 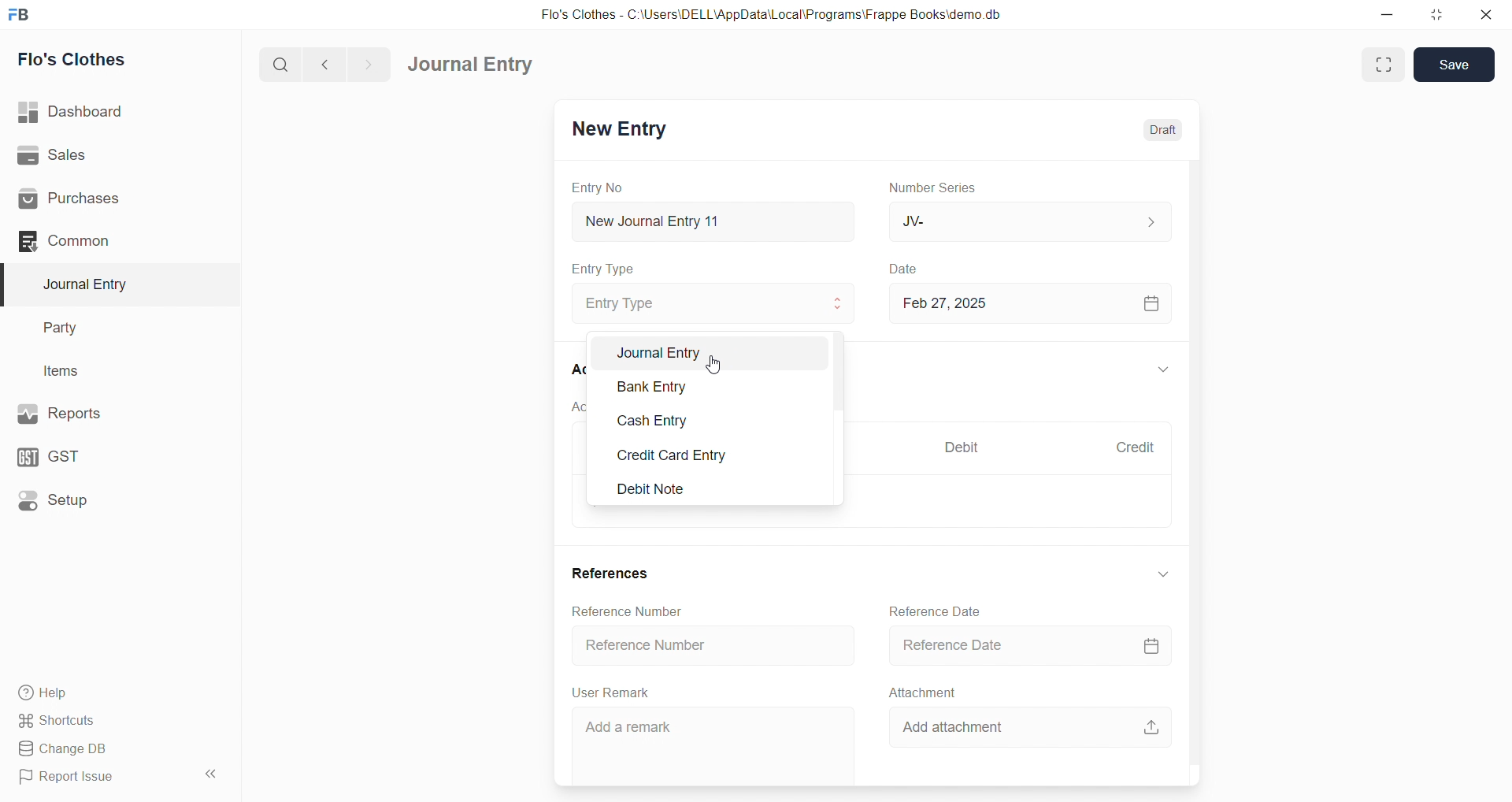 What do you see at coordinates (91, 503) in the screenshot?
I see `Setup` at bounding box center [91, 503].